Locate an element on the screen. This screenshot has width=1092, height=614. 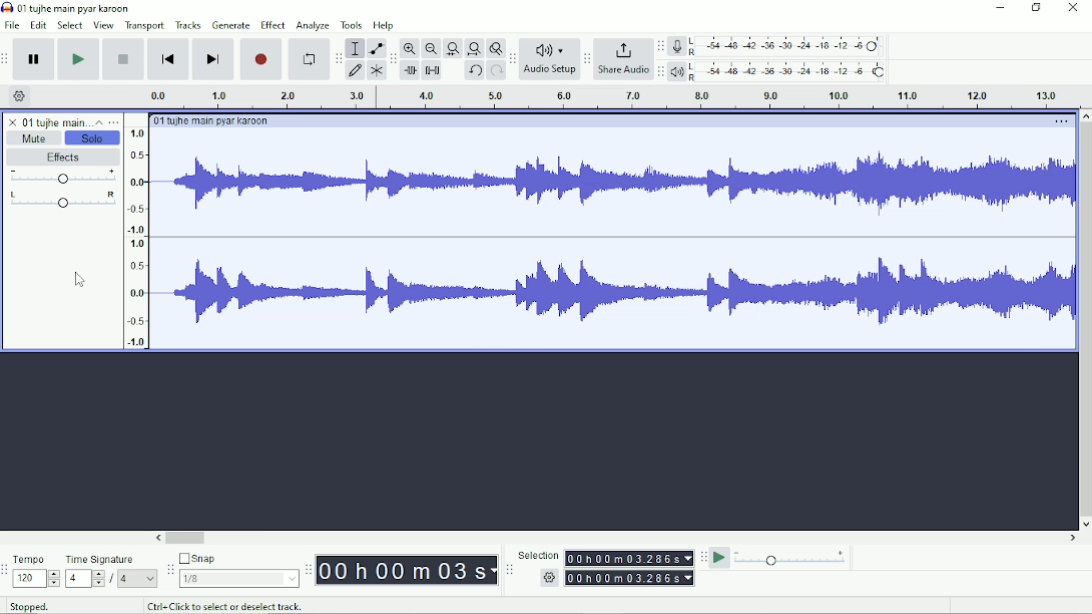
Effects is located at coordinates (63, 157).